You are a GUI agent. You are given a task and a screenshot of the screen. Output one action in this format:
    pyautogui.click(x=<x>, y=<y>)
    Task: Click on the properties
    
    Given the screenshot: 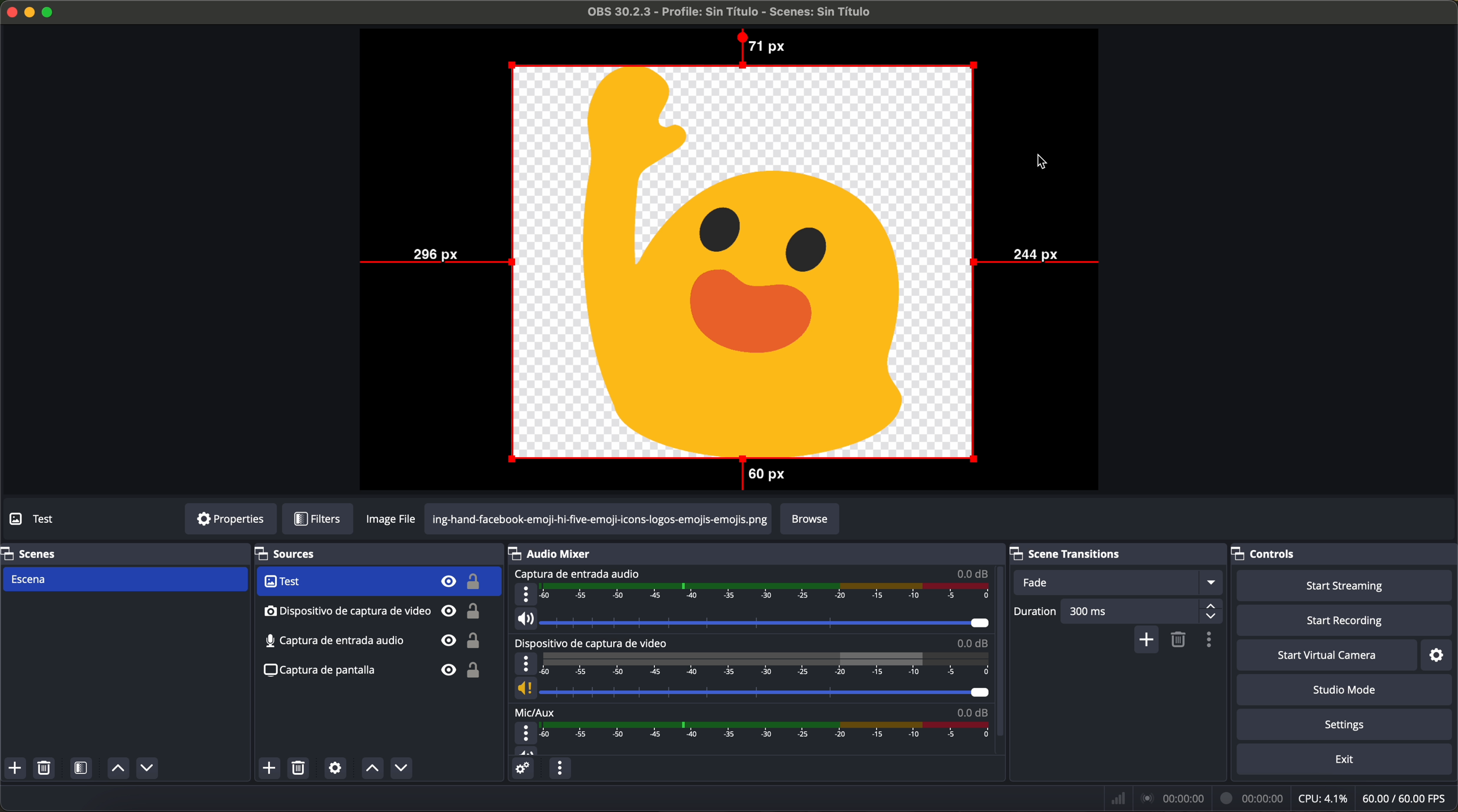 What is the action you would take?
    pyautogui.click(x=230, y=519)
    